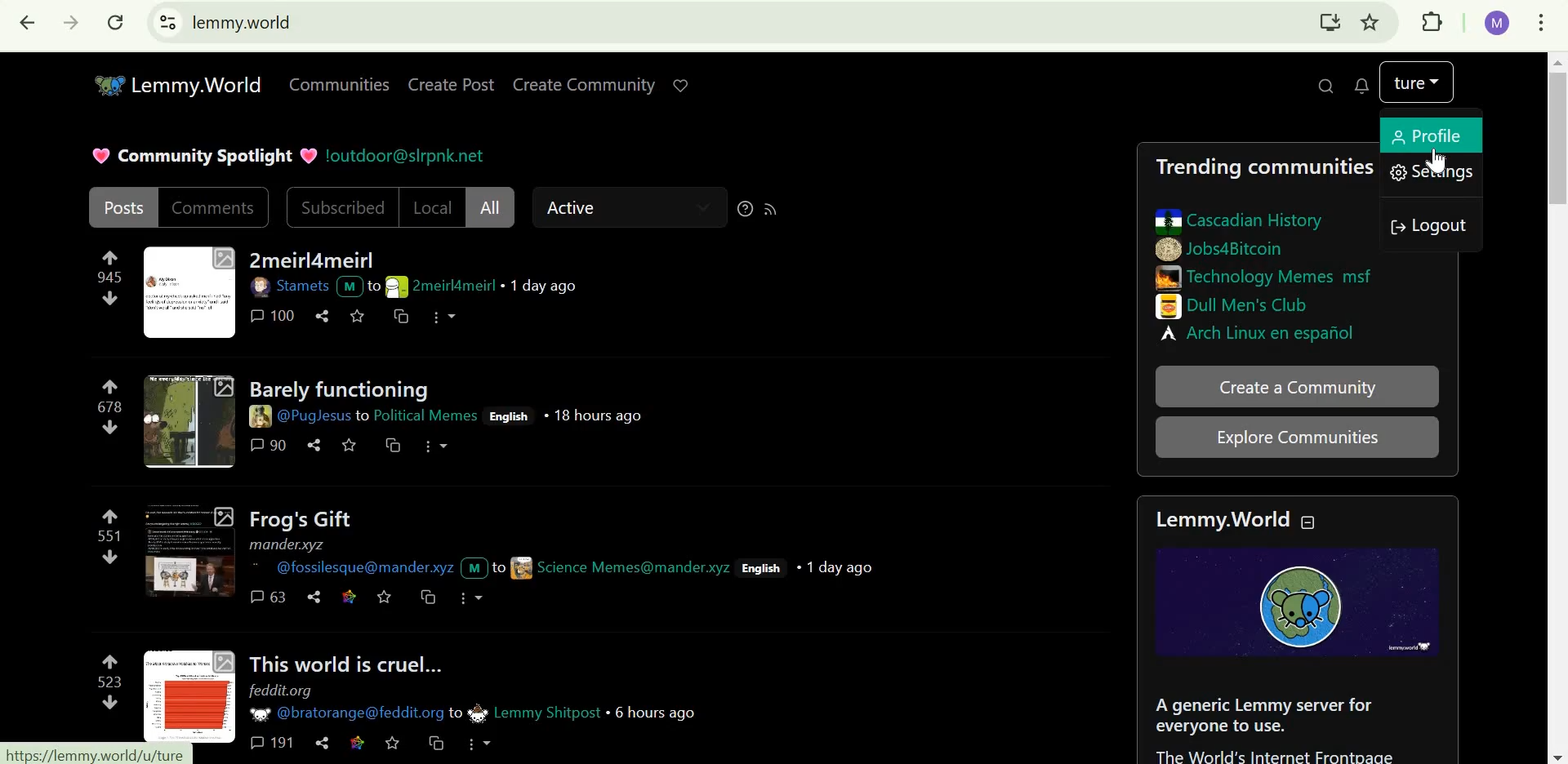  I want to click on 6 hours ago, so click(657, 712).